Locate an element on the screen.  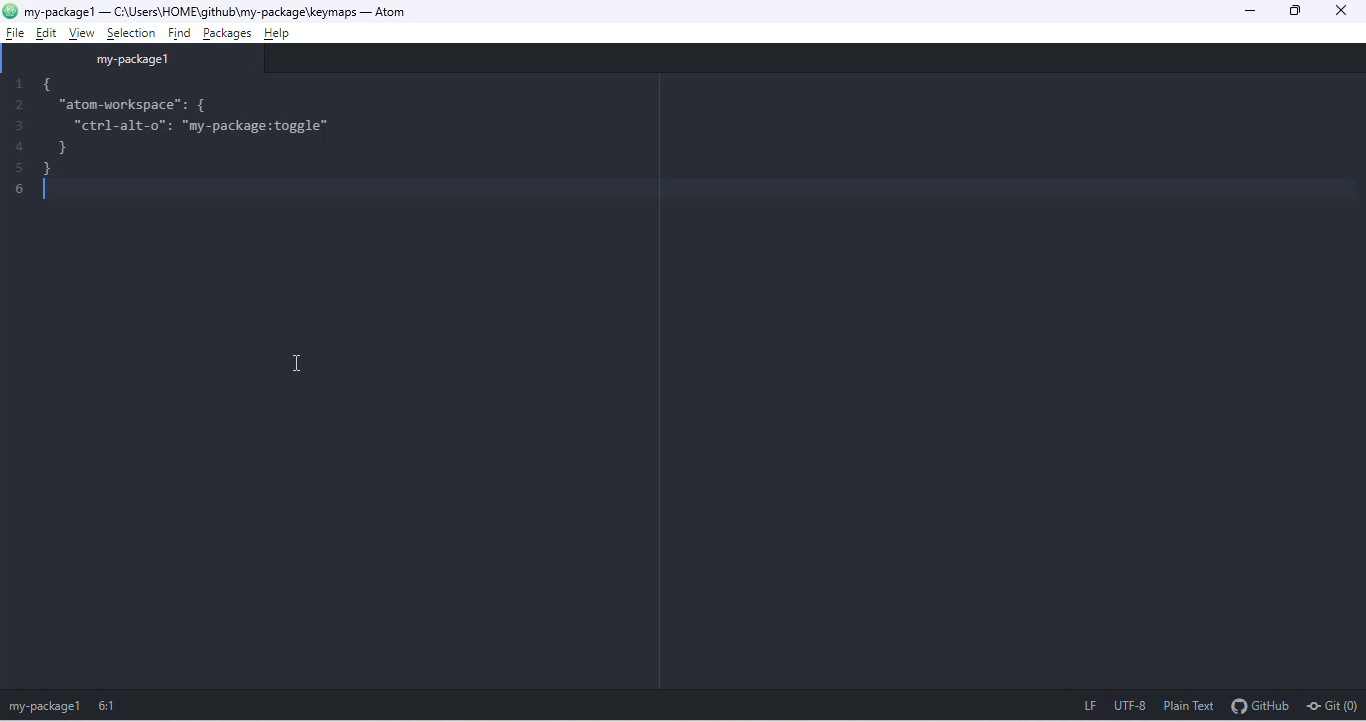
git hub is located at coordinates (1261, 708).